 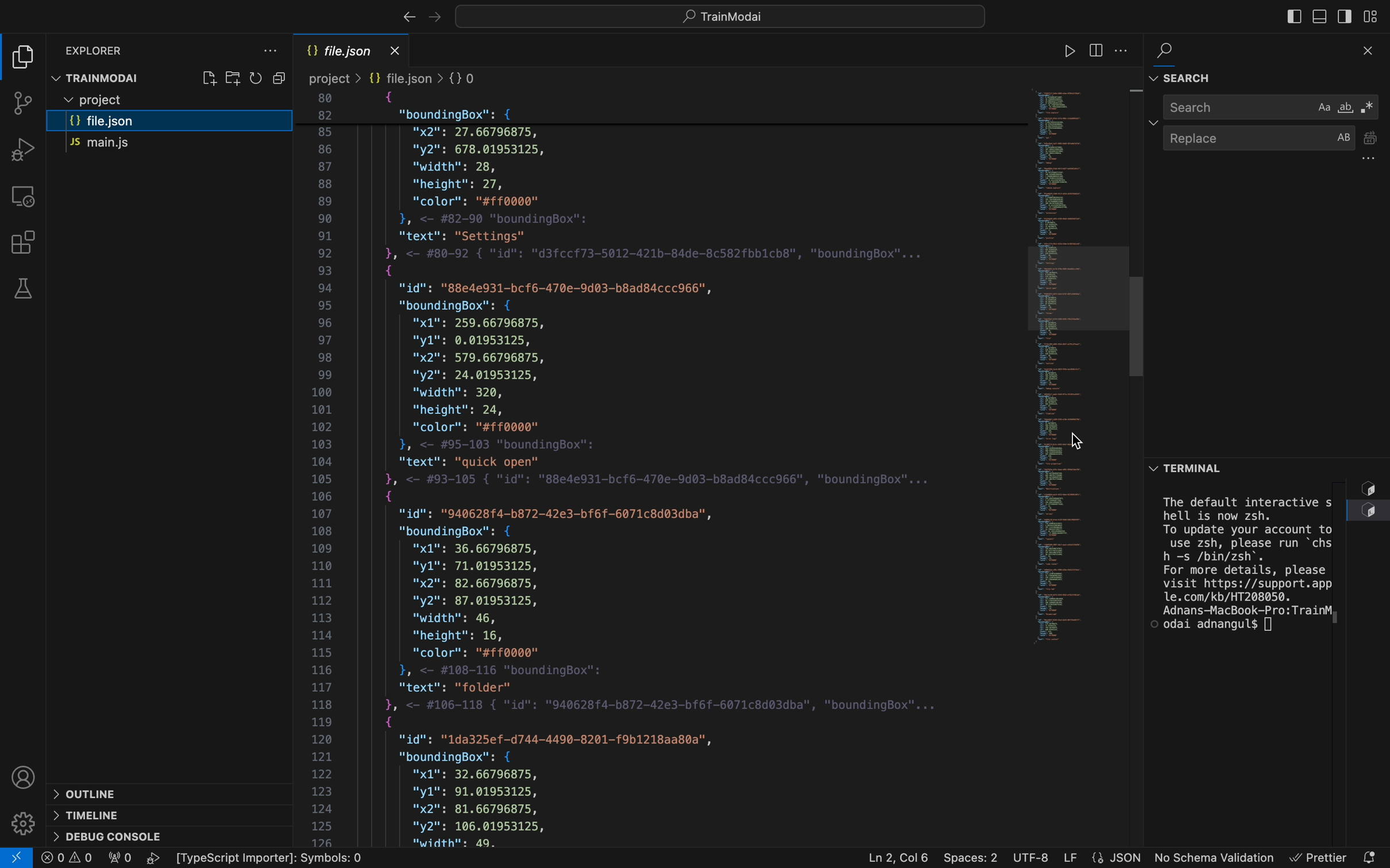 I want to click on file settings, so click(x=1090, y=48).